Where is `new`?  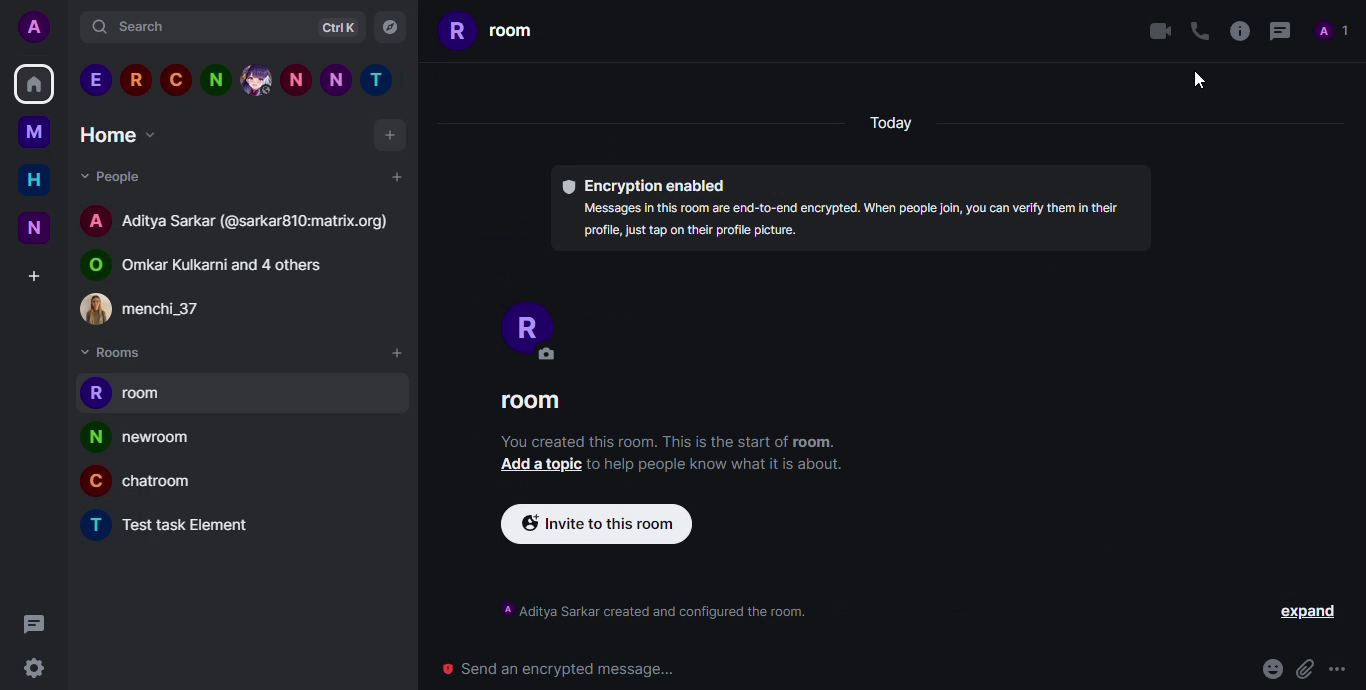
new is located at coordinates (34, 227).